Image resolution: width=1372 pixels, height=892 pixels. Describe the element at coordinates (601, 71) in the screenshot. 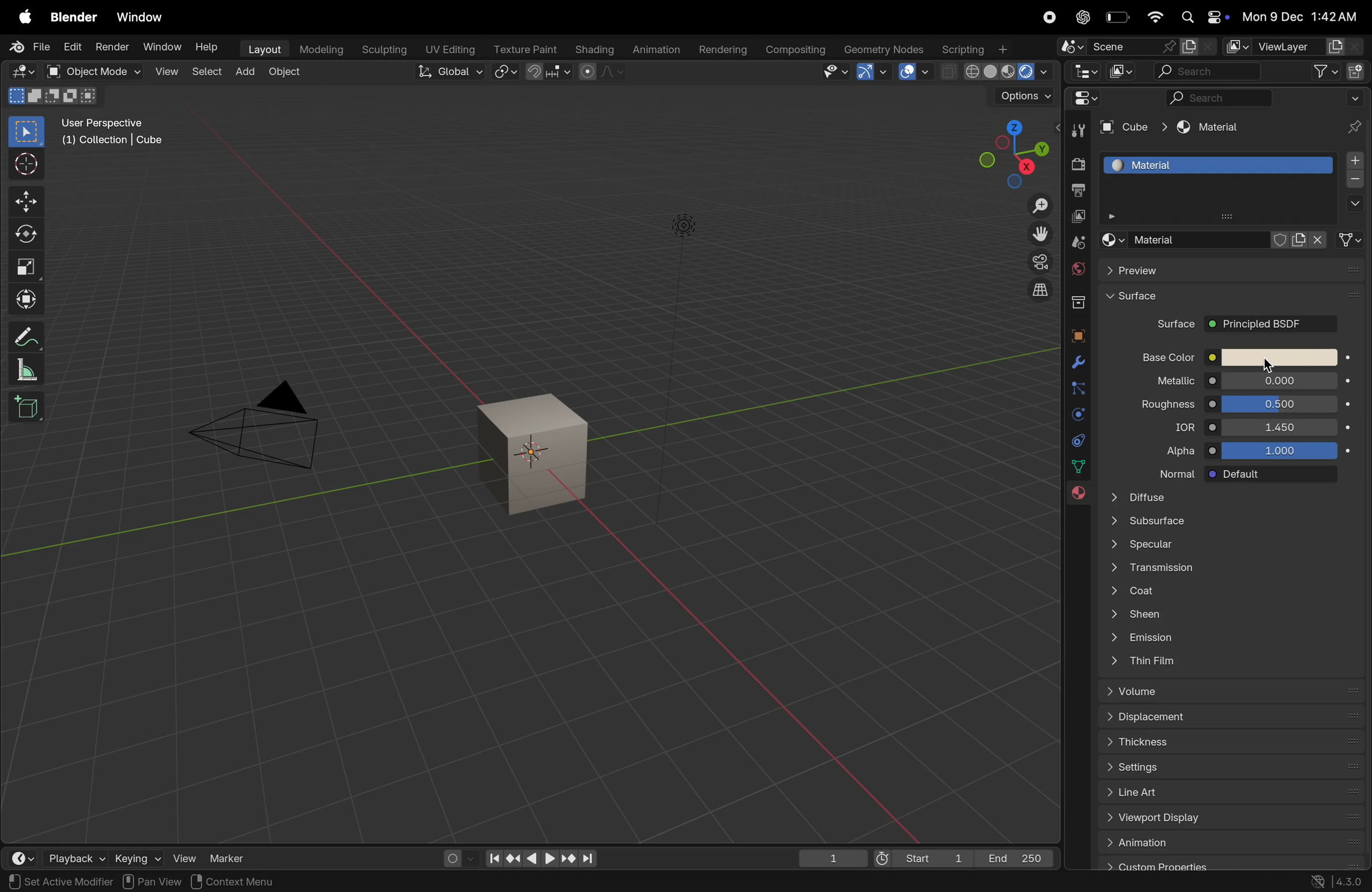

I see `proportional editing objects` at that location.